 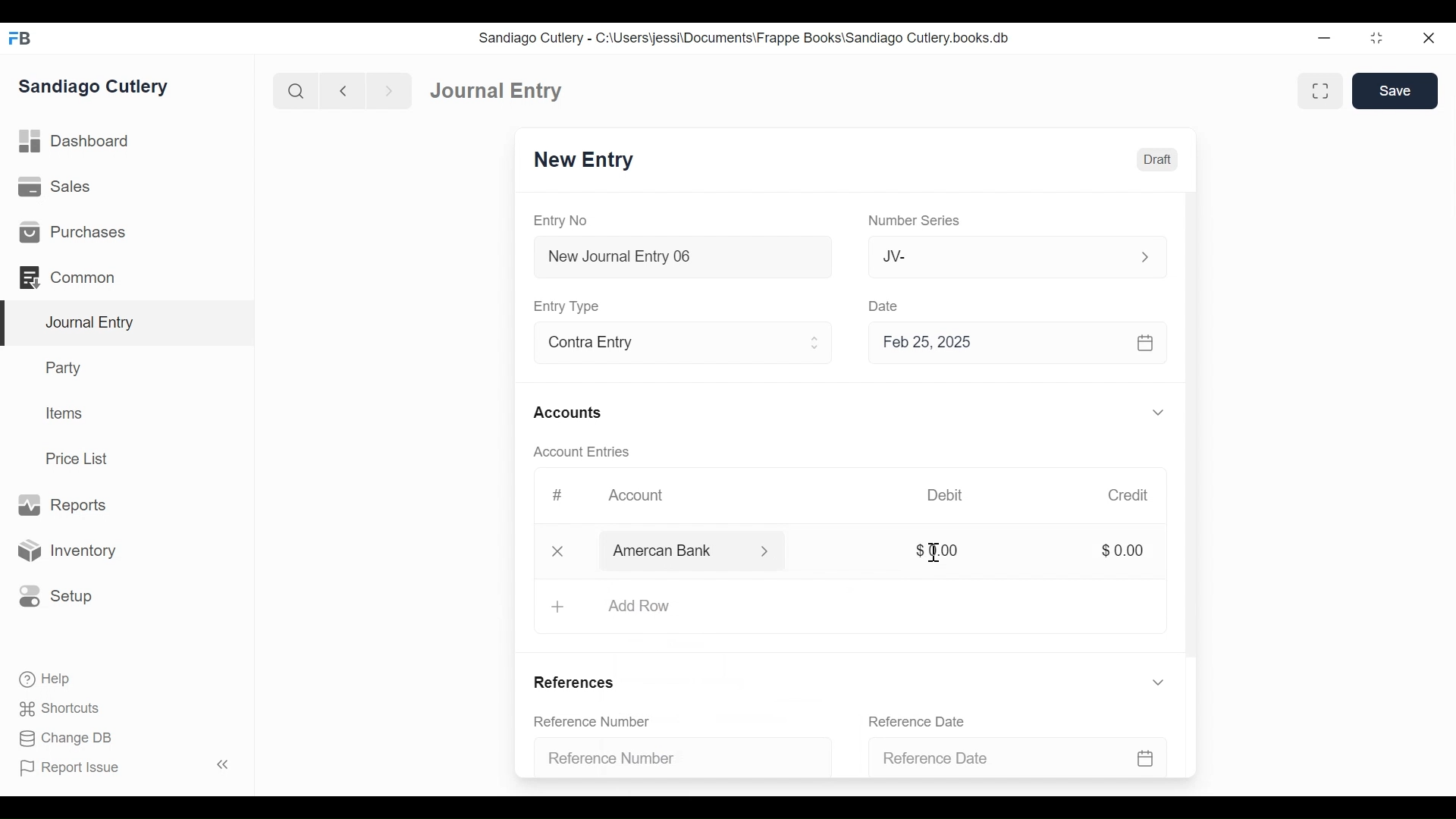 What do you see at coordinates (1431, 37) in the screenshot?
I see `Close` at bounding box center [1431, 37].